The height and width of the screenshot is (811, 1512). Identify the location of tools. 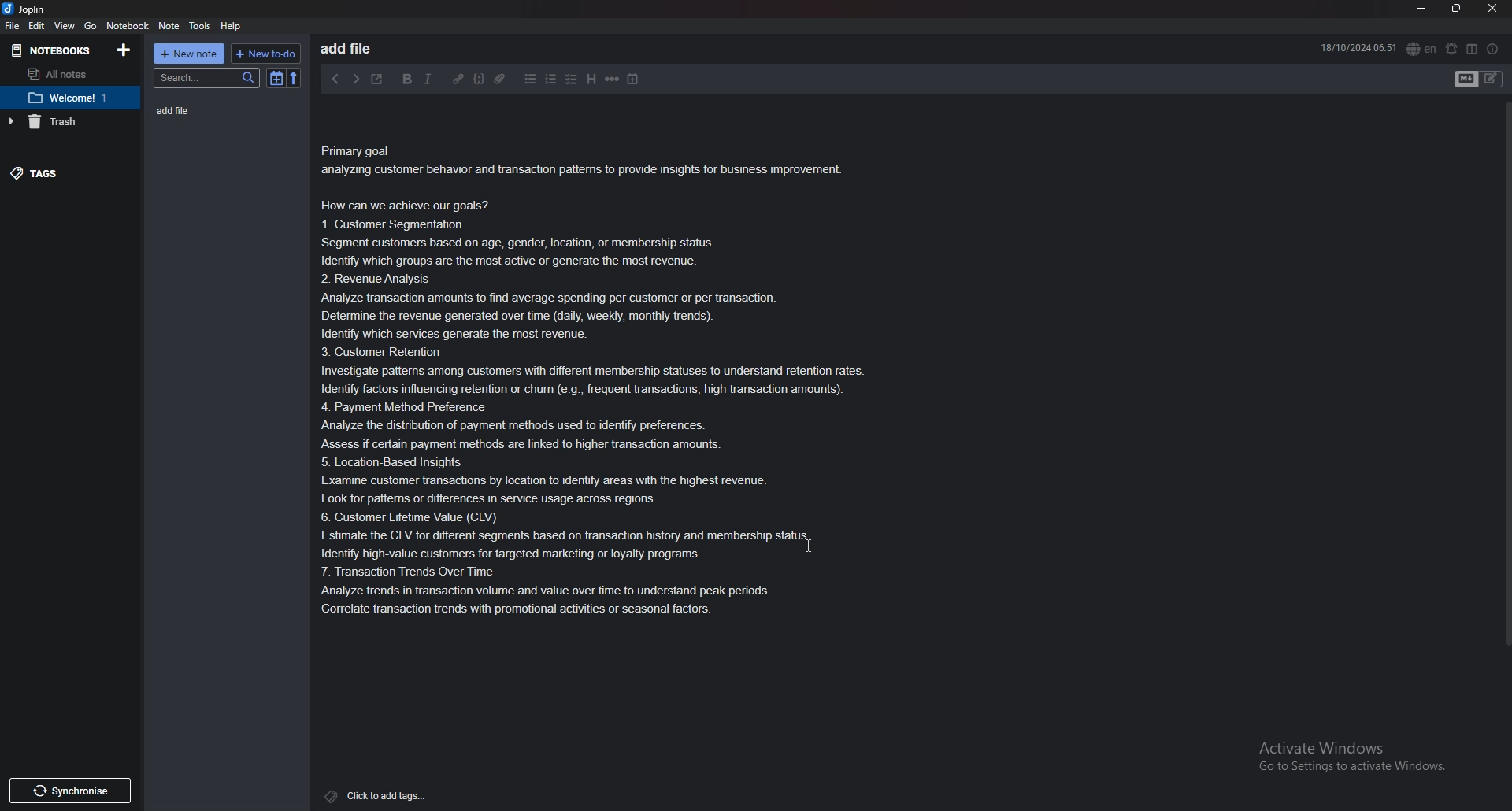
(201, 27).